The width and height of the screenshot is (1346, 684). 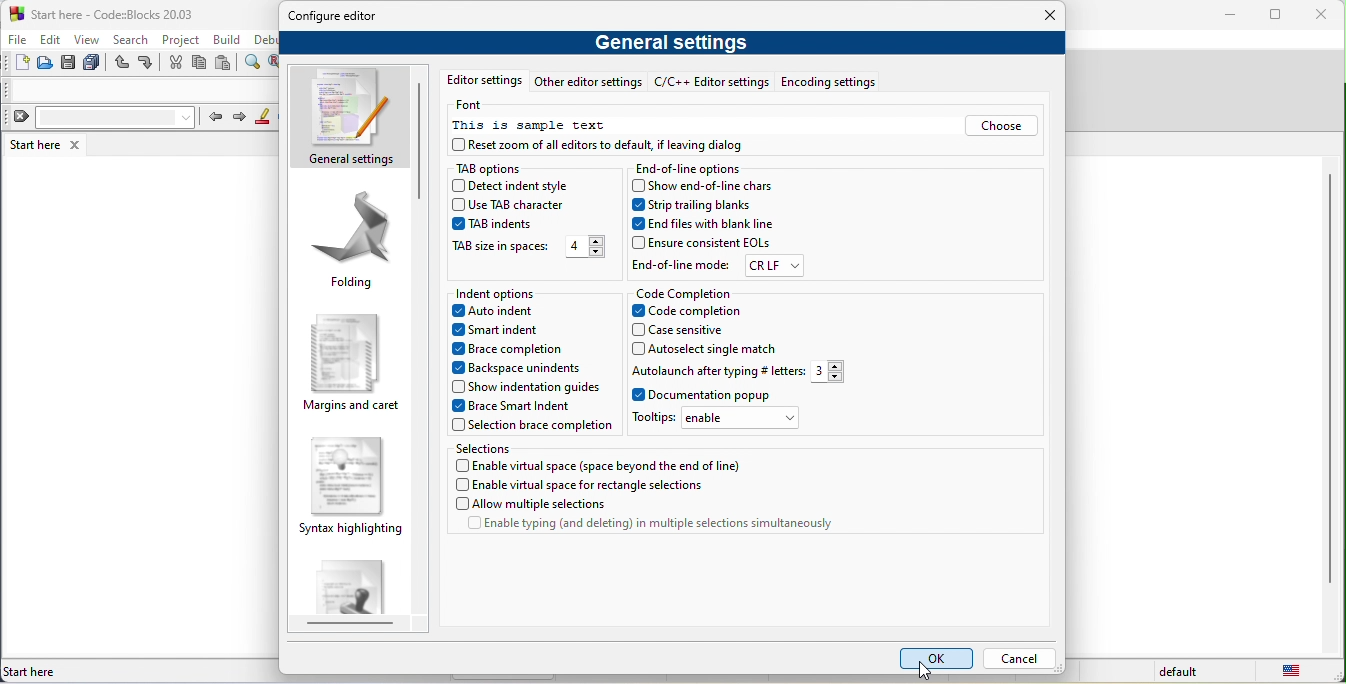 What do you see at coordinates (1041, 15) in the screenshot?
I see `close` at bounding box center [1041, 15].